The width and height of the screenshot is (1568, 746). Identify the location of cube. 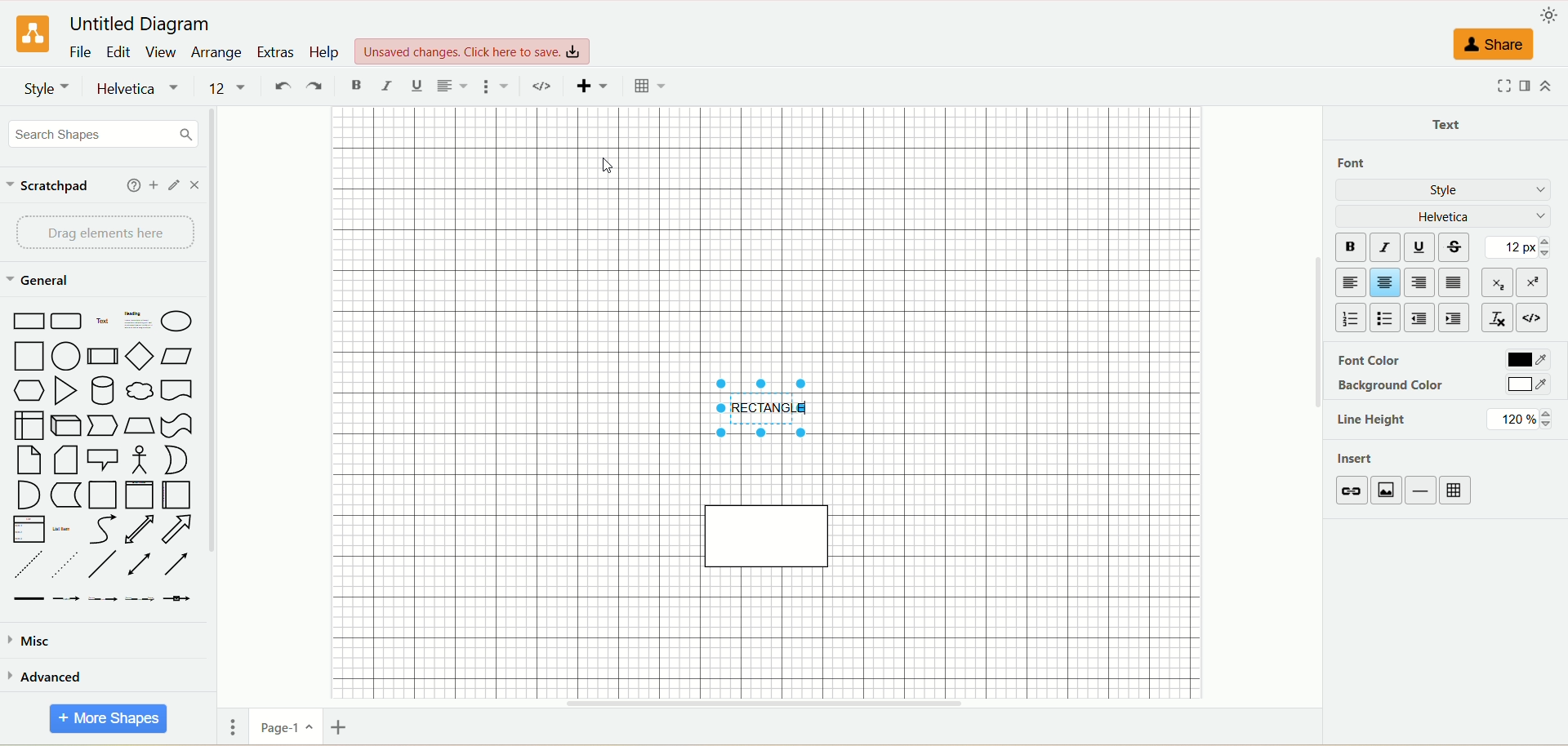
(69, 425).